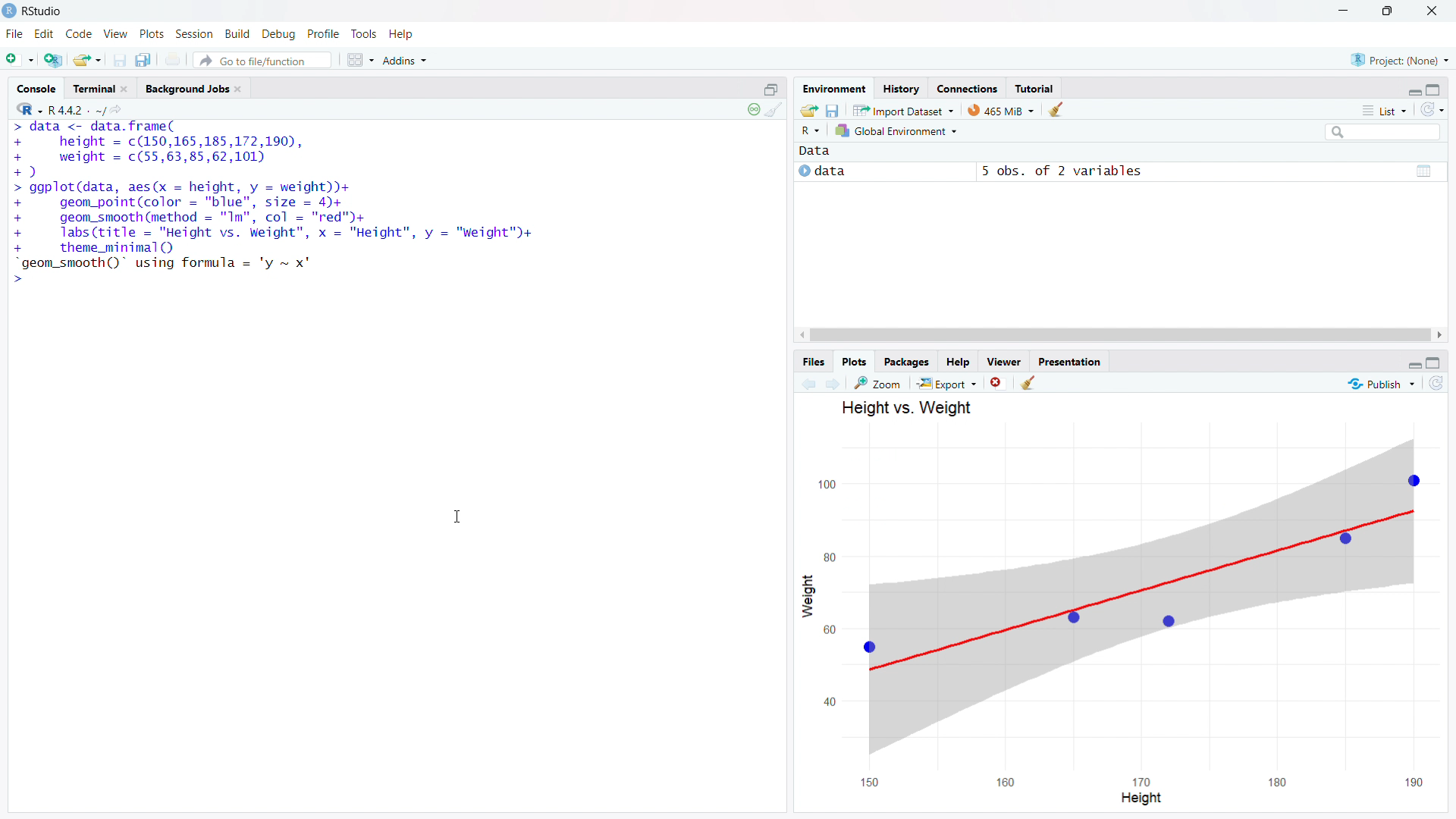 The image size is (1456, 819). Describe the element at coordinates (1001, 109) in the screenshot. I see `memory used by R session` at that location.